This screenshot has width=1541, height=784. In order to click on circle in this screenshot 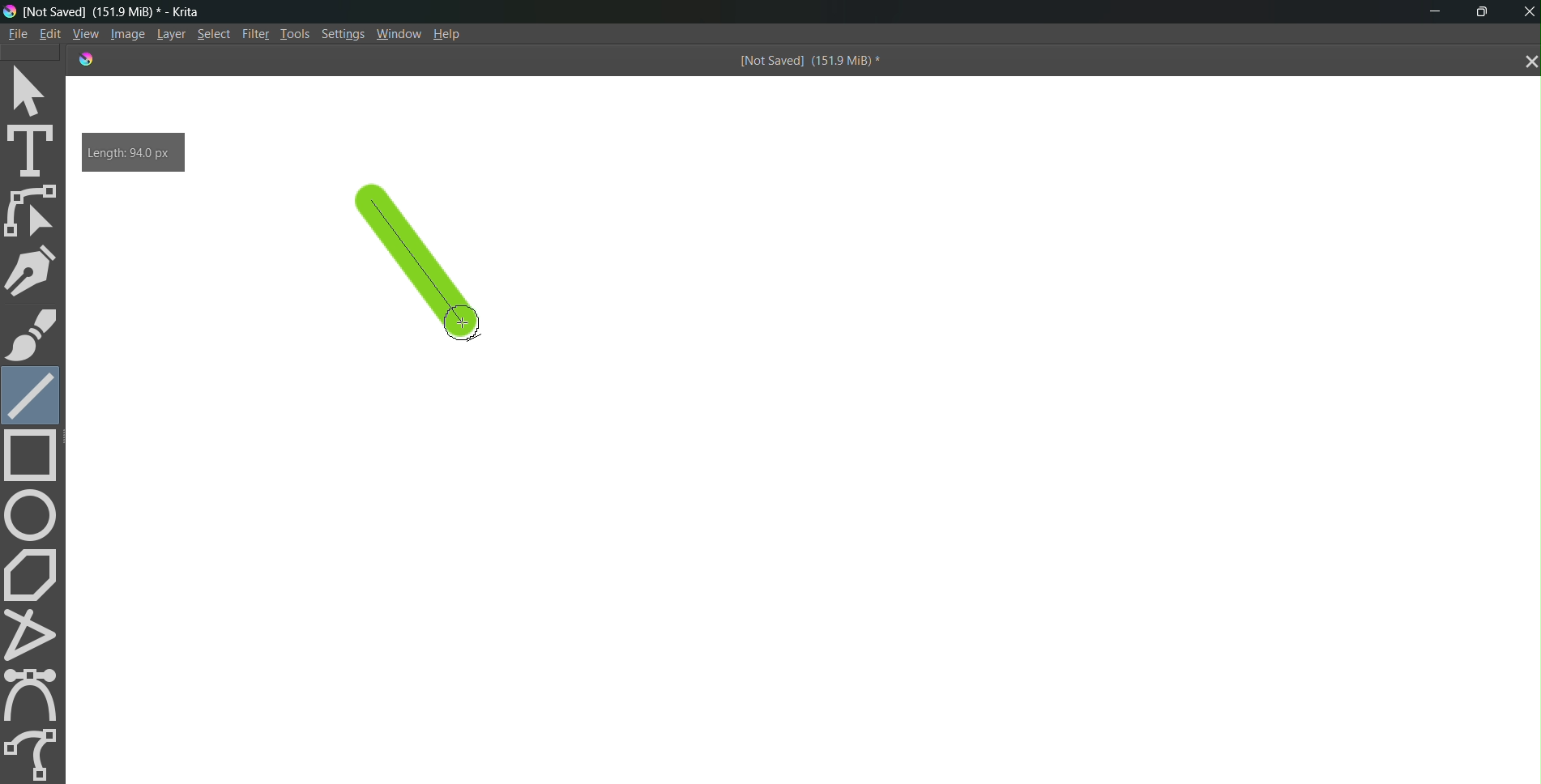, I will do `click(32, 514)`.